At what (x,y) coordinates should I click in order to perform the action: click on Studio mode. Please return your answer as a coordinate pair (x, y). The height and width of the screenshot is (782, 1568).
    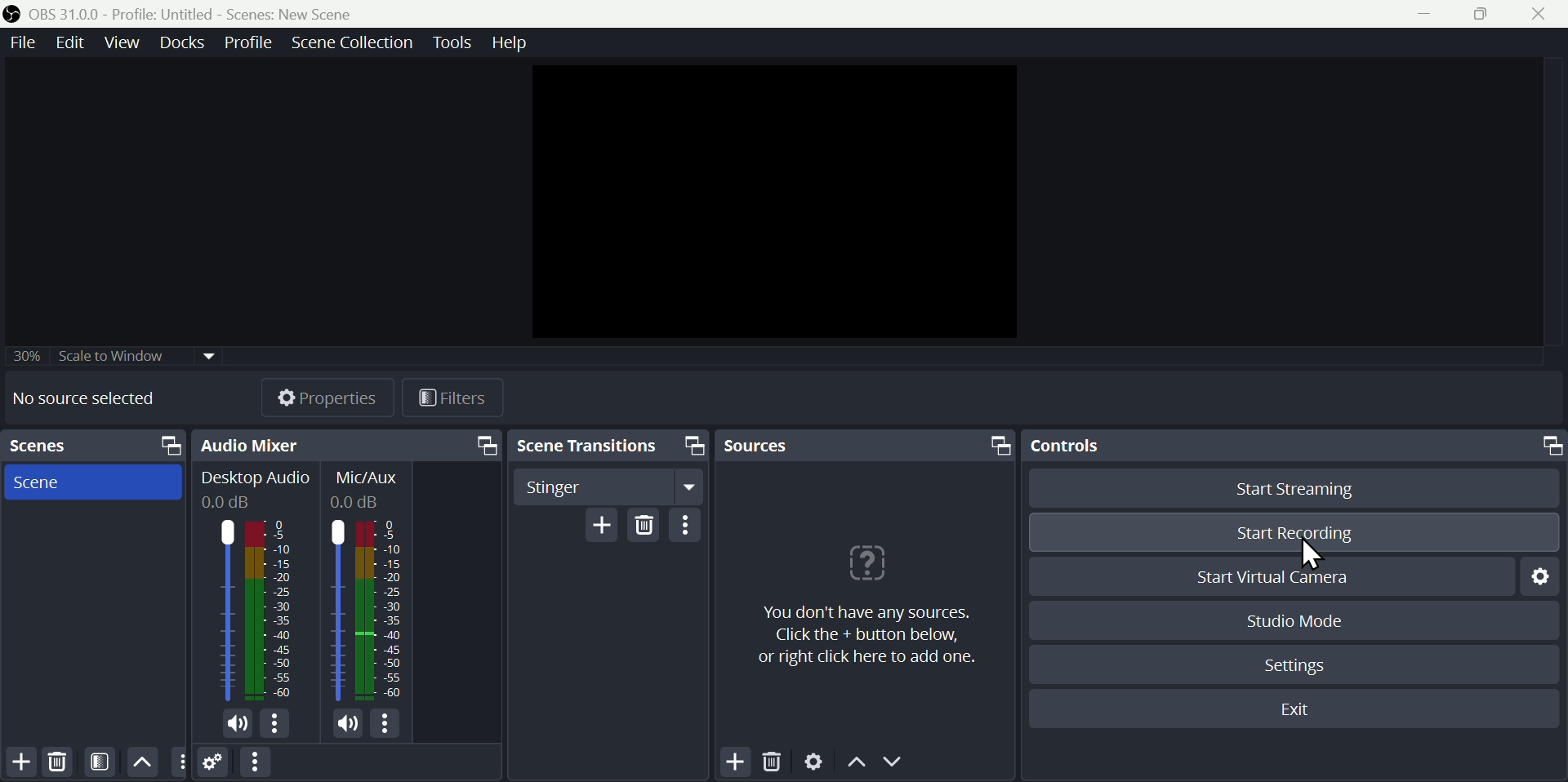
    Looking at the image, I should click on (1296, 618).